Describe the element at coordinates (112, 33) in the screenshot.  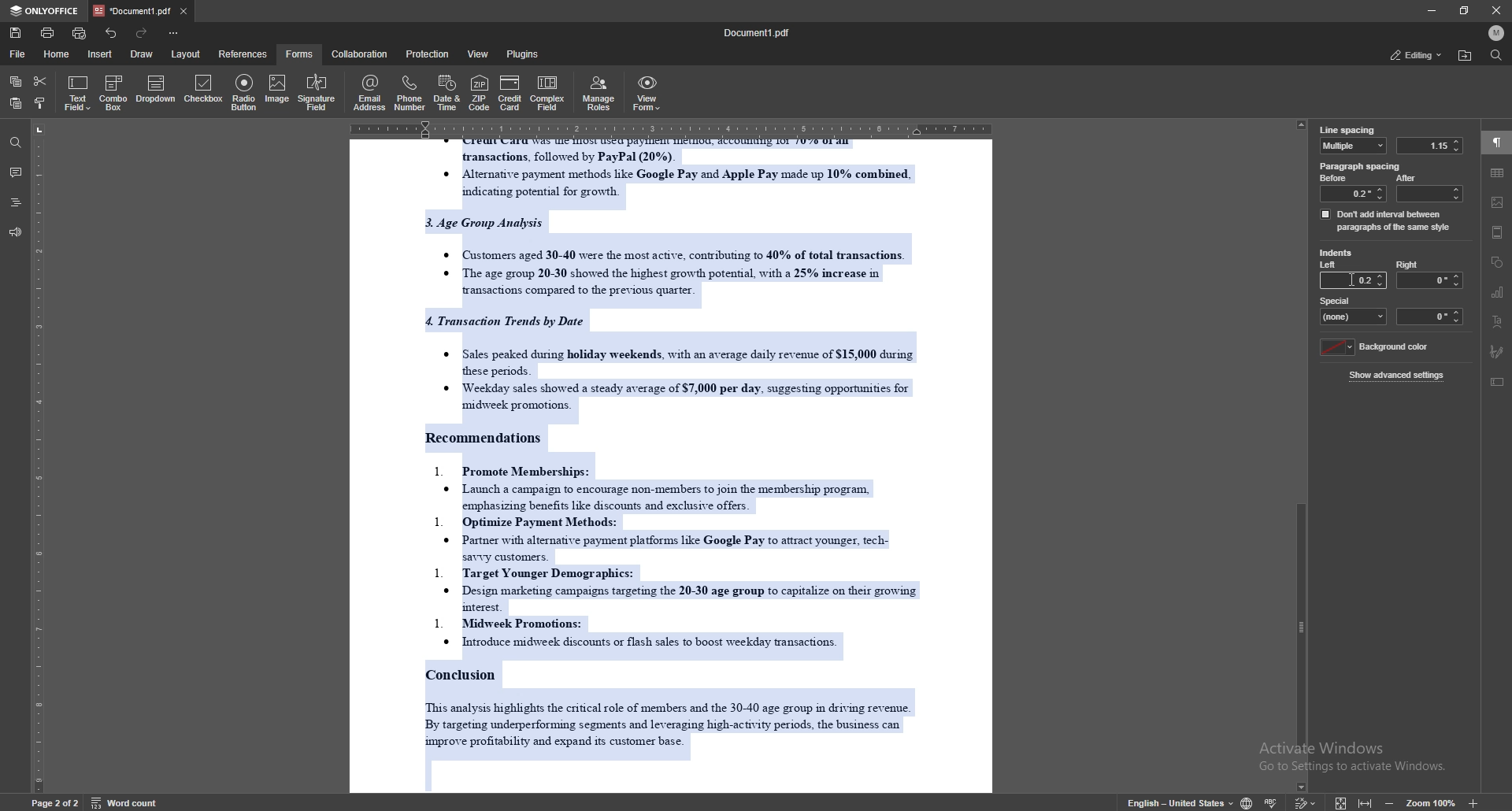
I see `undo` at that location.